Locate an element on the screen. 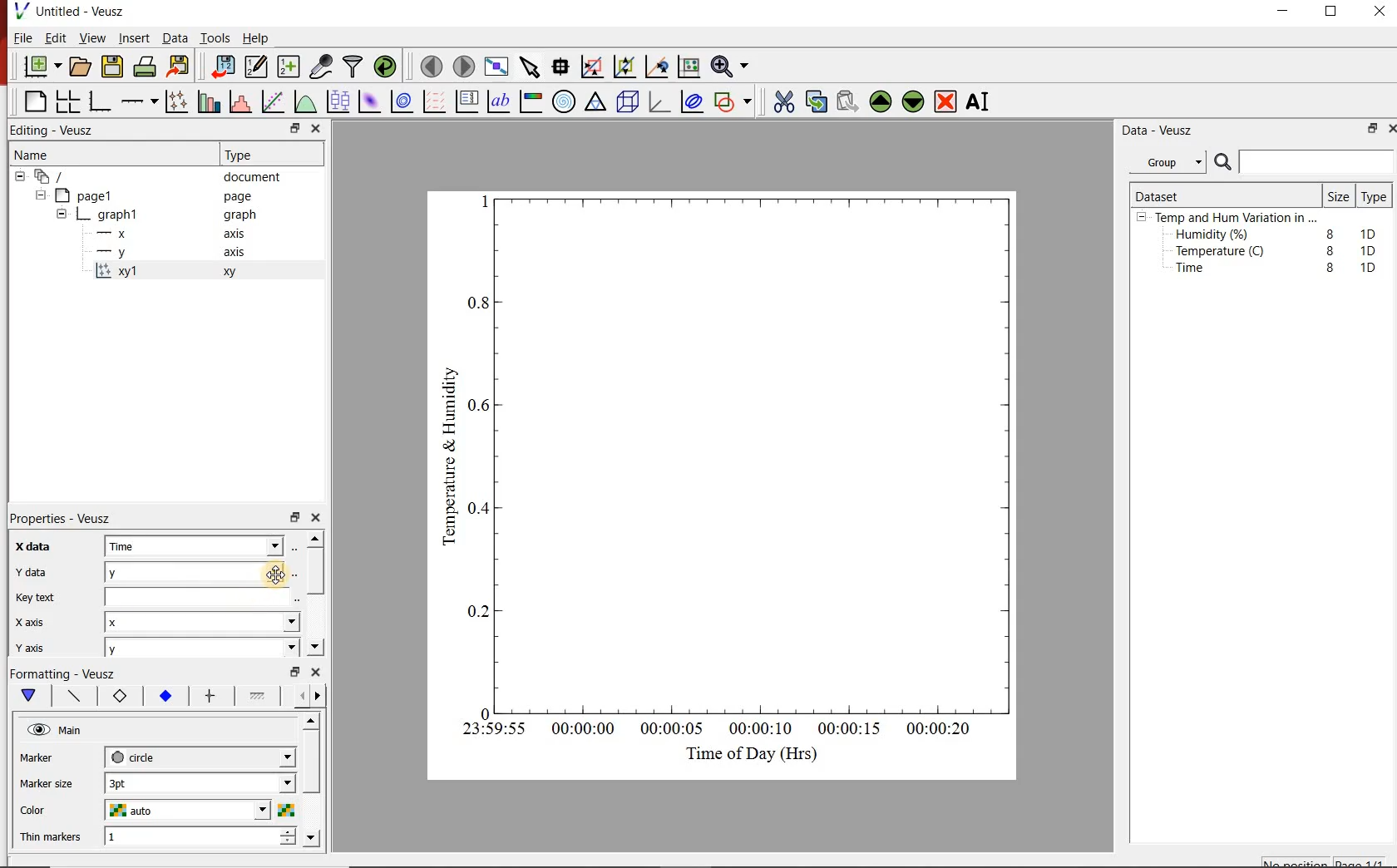 This screenshot has width=1397, height=868. restore down is located at coordinates (292, 672).